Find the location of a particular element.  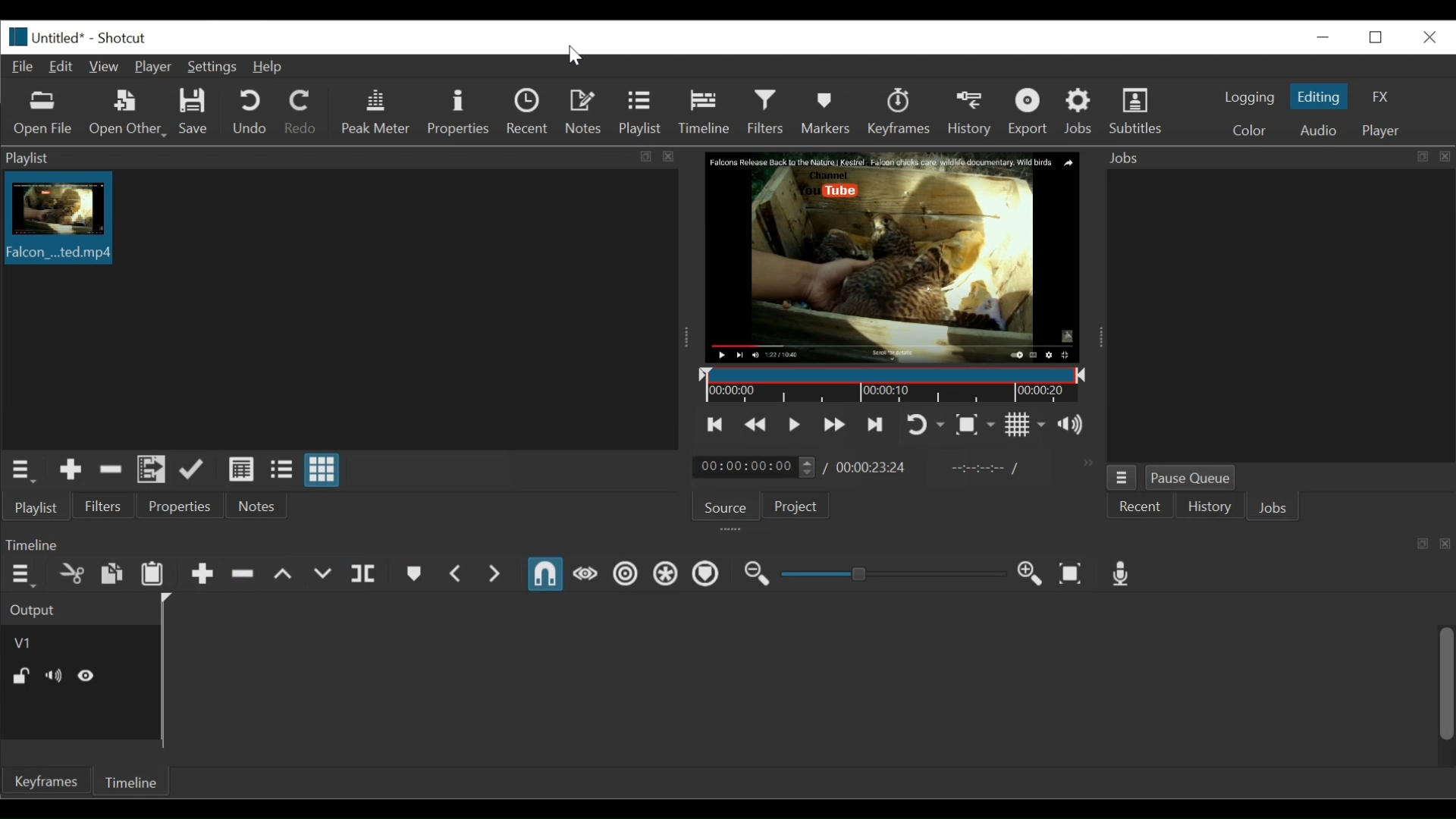

Export is located at coordinates (1030, 113).